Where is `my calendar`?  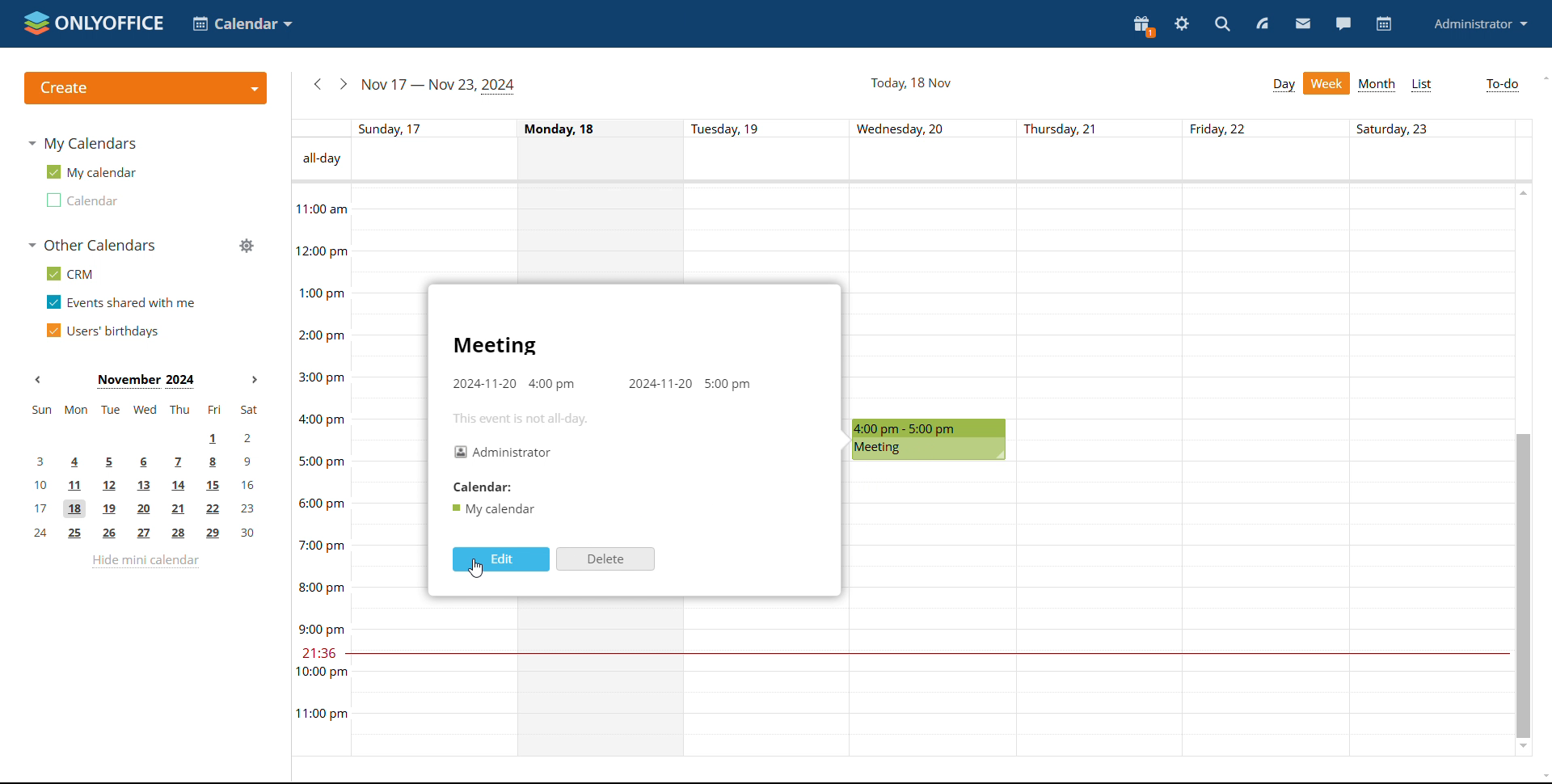
my calendar is located at coordinates (90, 172).